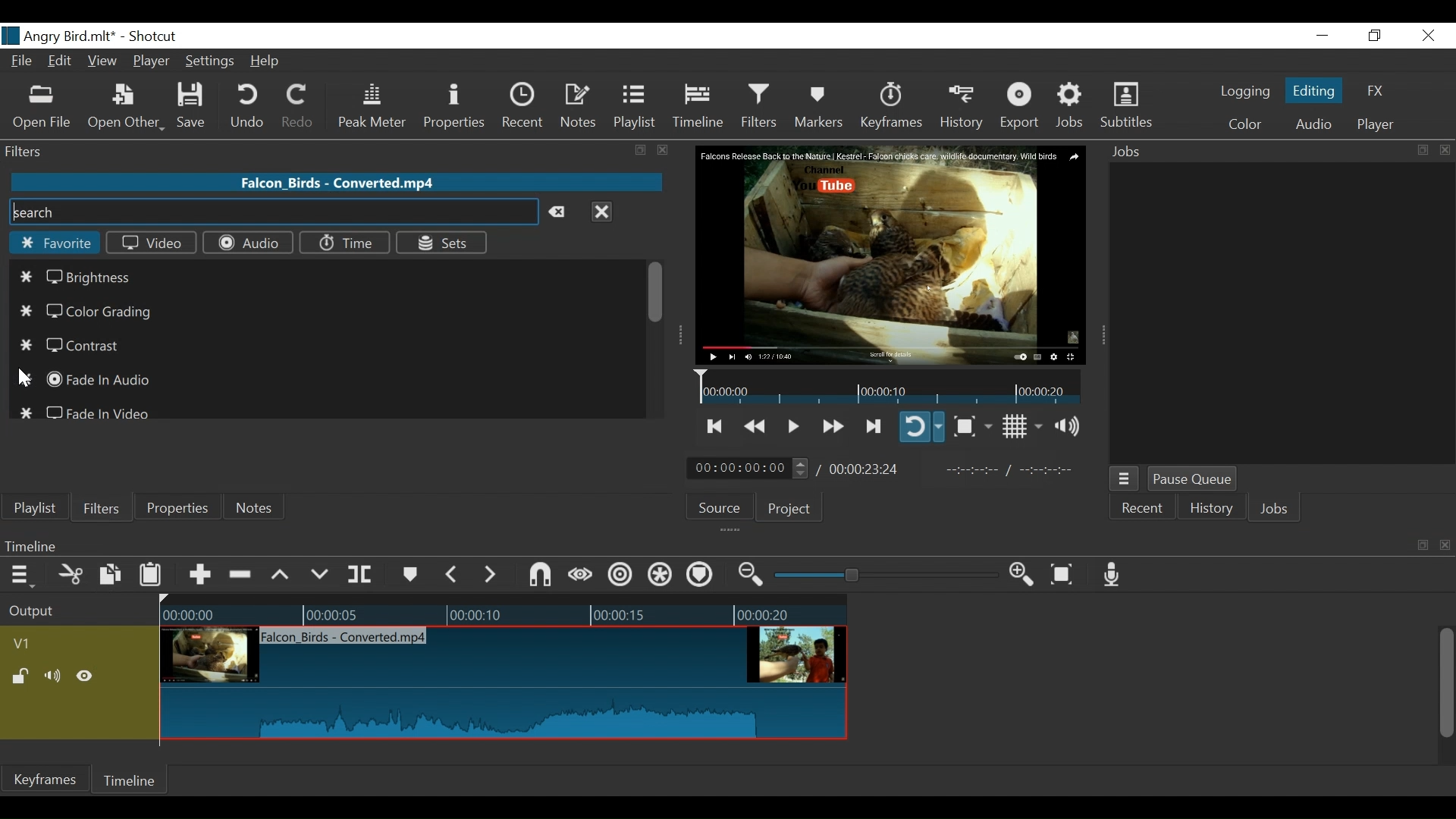  I want to click on Video track clip, so click(504, 684).